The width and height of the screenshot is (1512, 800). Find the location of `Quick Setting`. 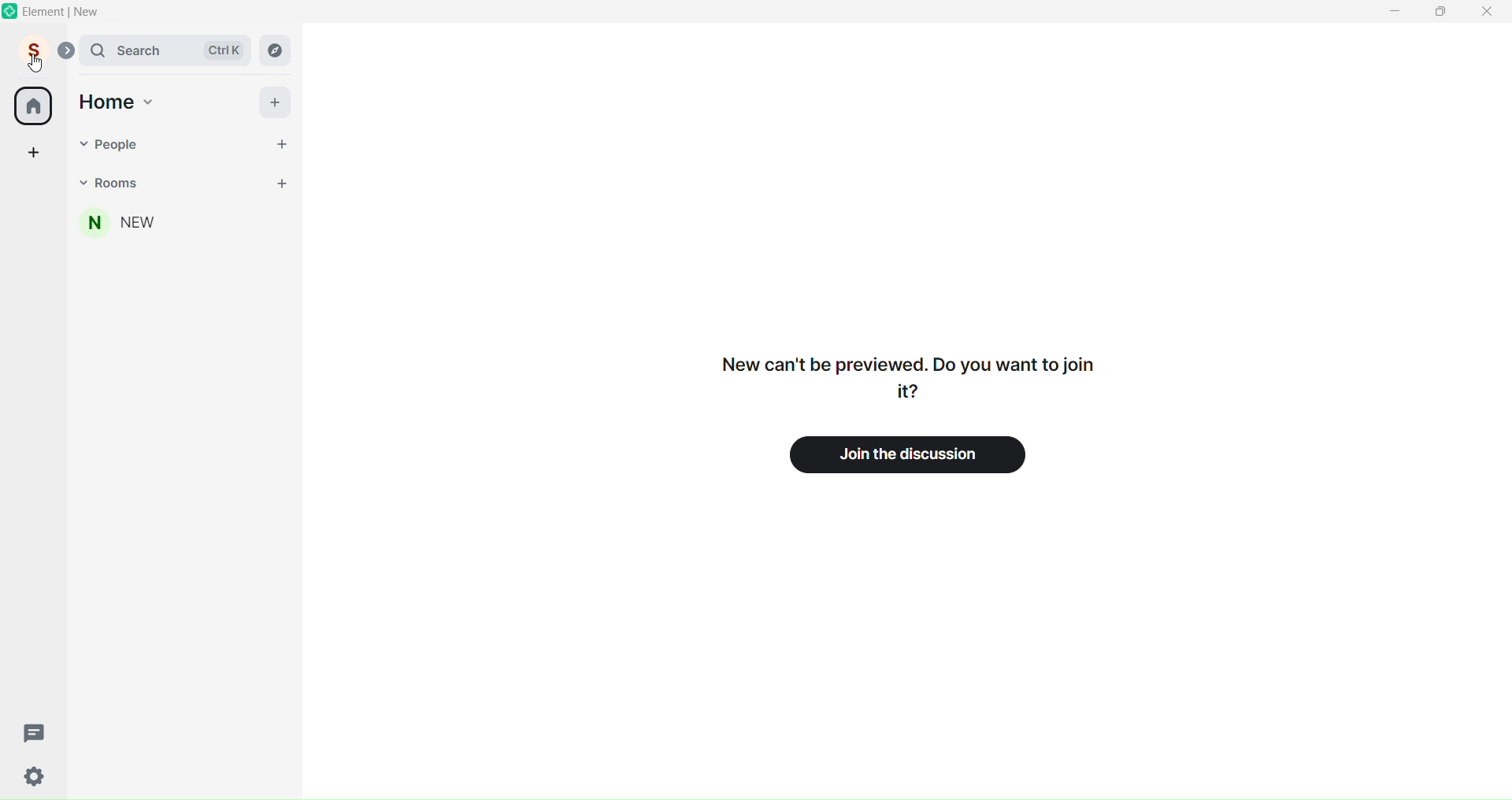

Quick Setting is located at coordinates (36, 778).